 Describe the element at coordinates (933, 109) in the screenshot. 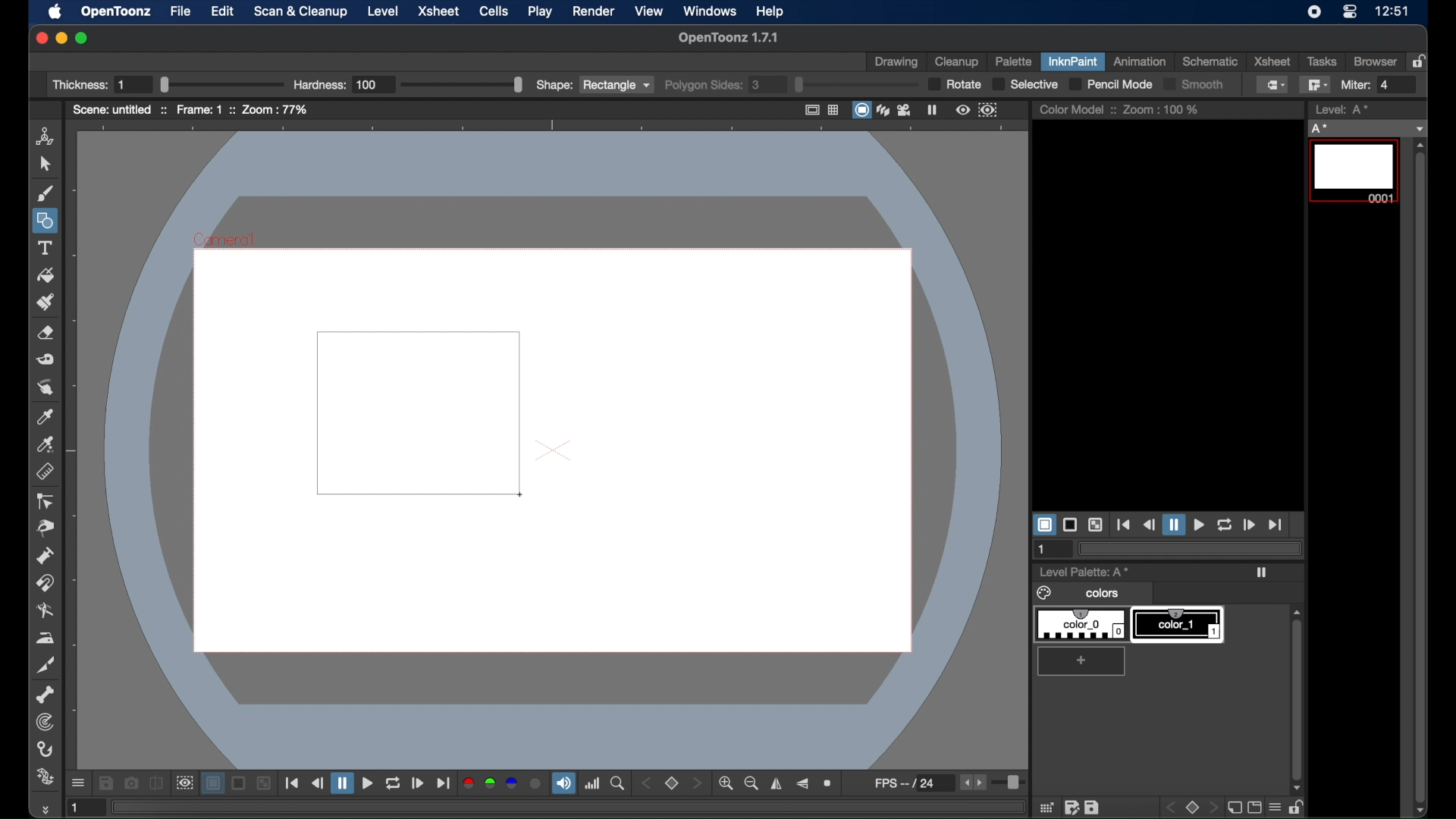

I see `freeze` at that location.